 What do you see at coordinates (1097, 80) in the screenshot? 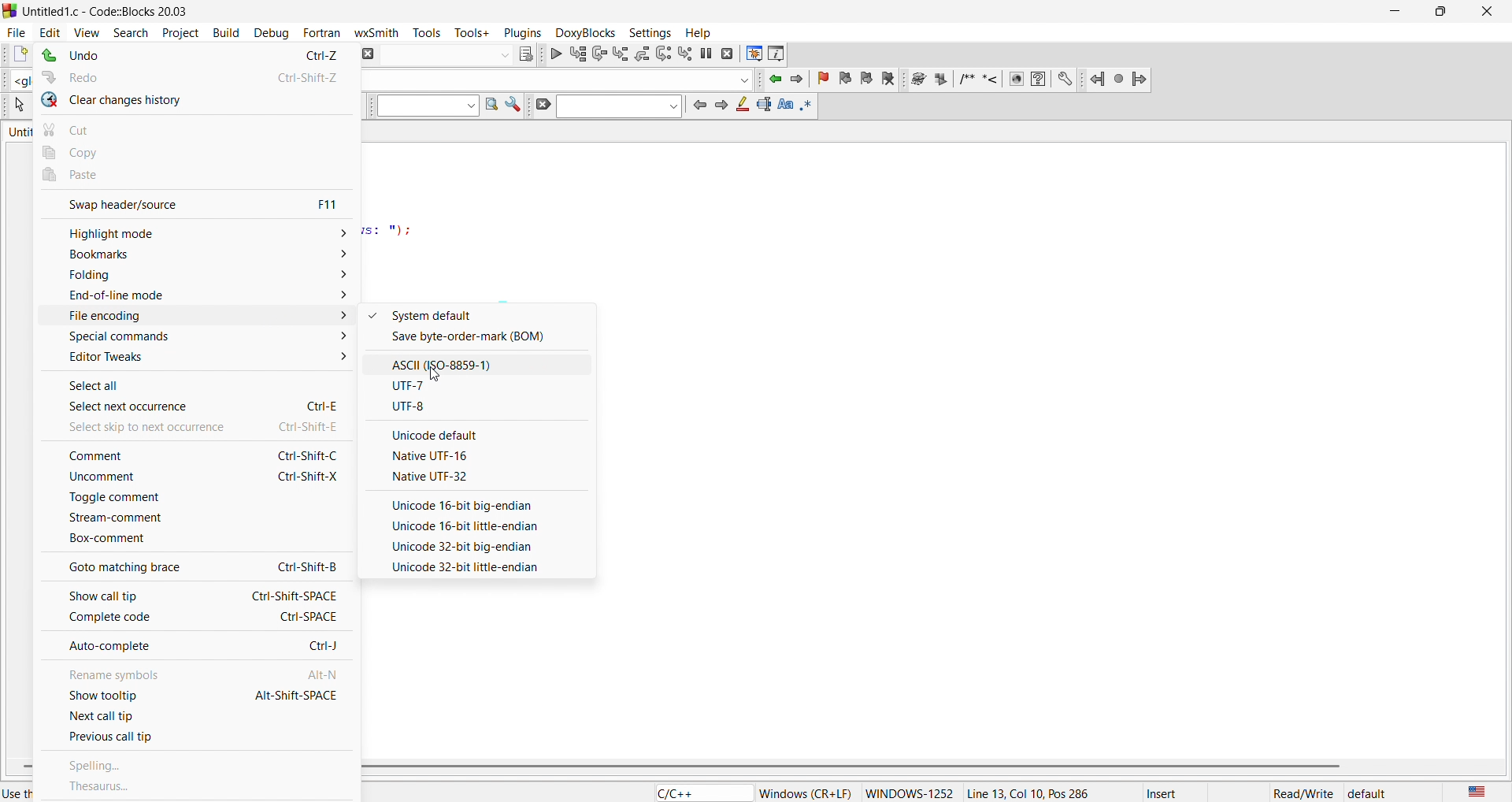
I see `jump back` at bounding box center [1097, 80].